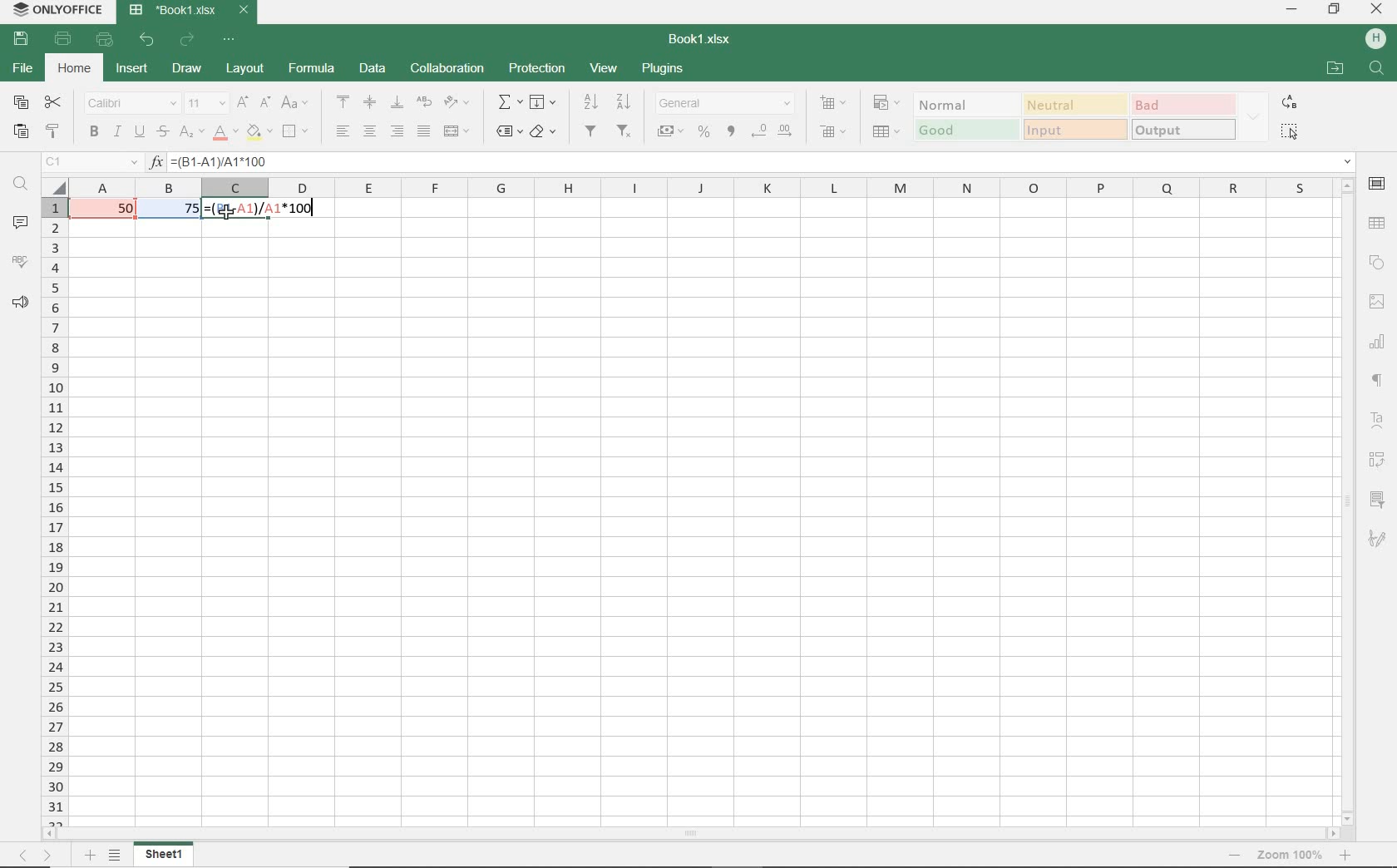  What do you see at coordinates (106, 42) in the screenshot?
I see `quick print` at bounding box center [106, 42].